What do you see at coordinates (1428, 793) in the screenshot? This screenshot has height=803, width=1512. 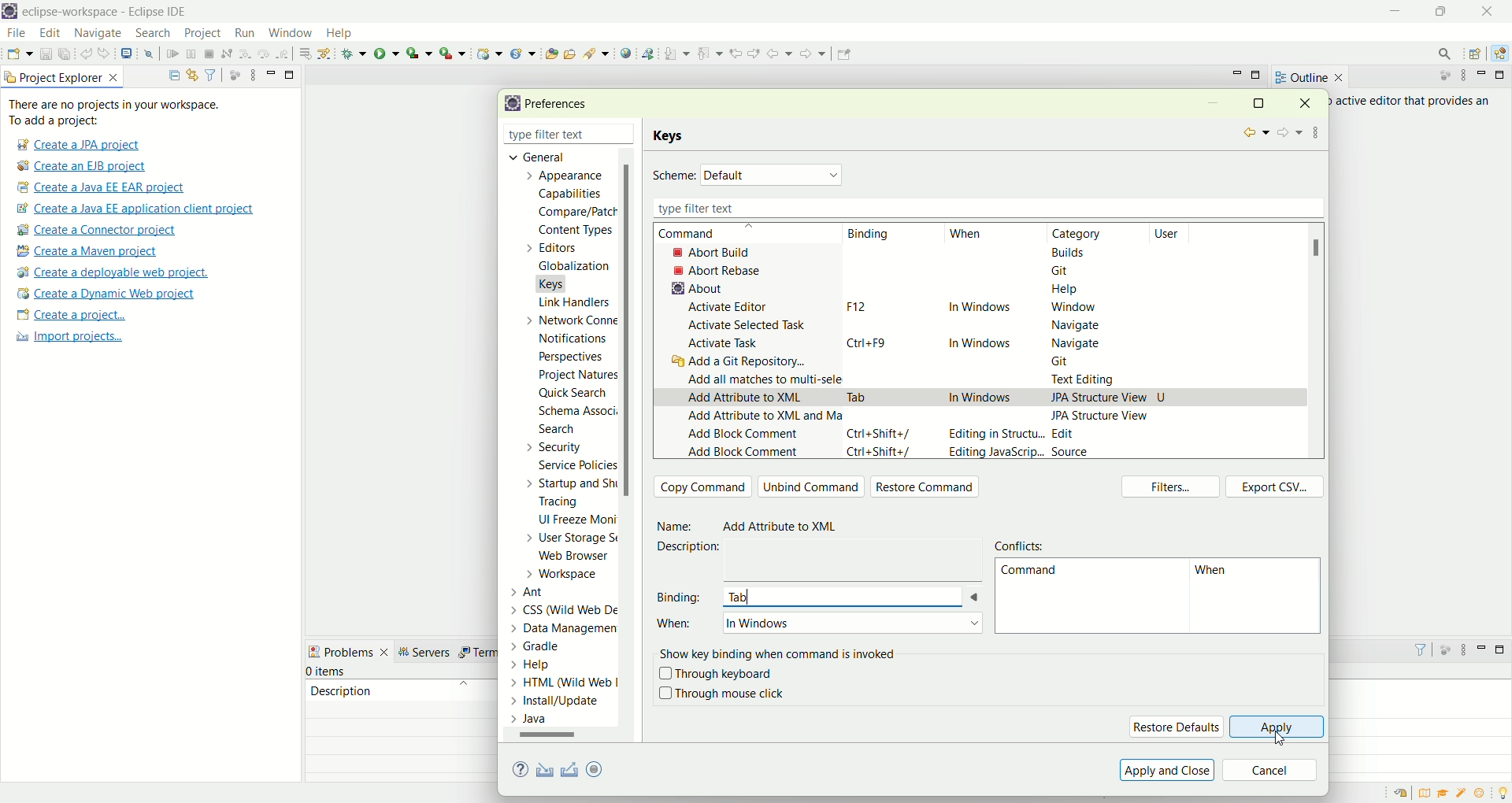 I see `overview` at bounding box center [1428, 793].